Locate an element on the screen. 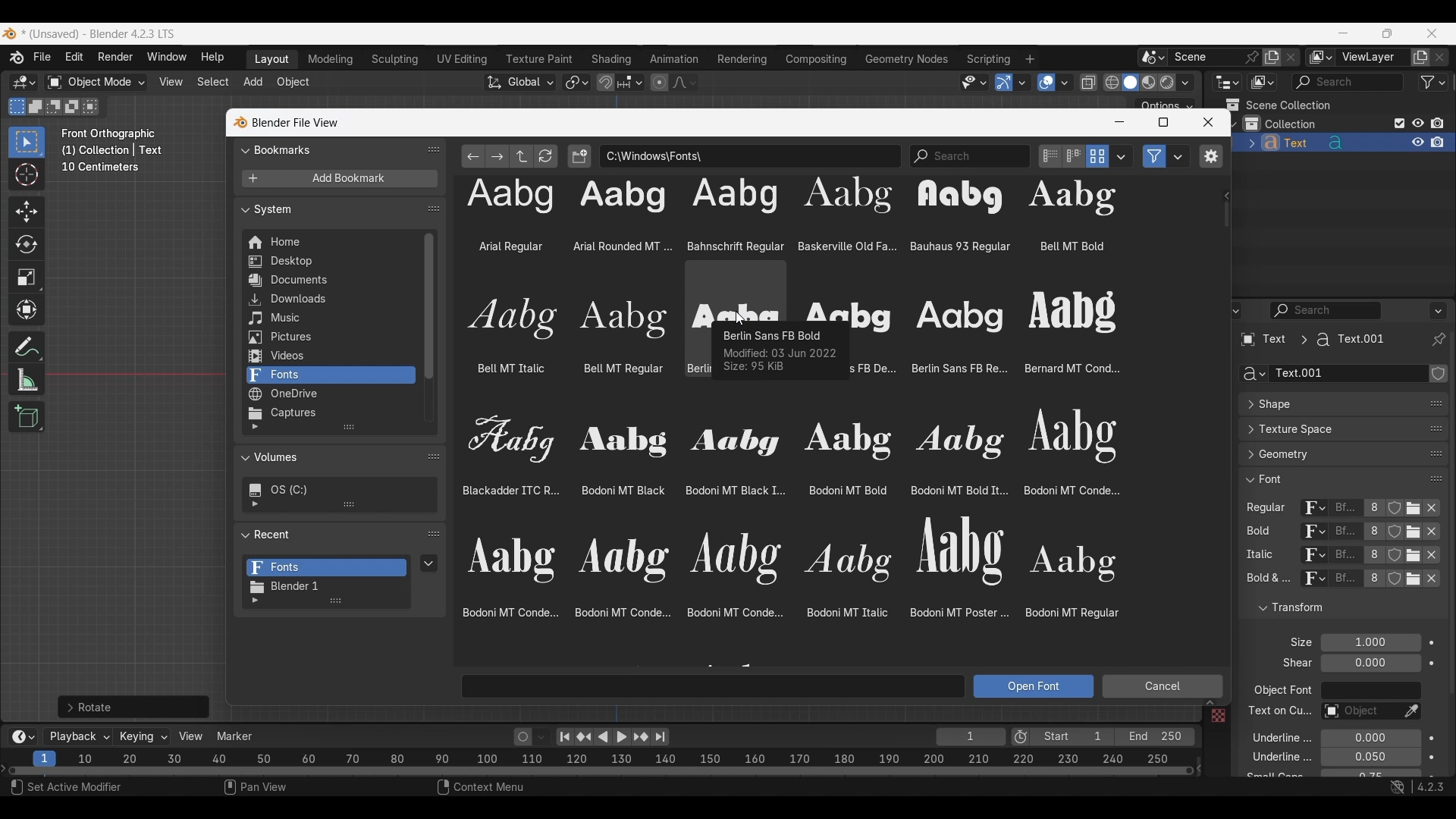 The image size is (1456, 819). underline is located at coordinates (1272, 737).